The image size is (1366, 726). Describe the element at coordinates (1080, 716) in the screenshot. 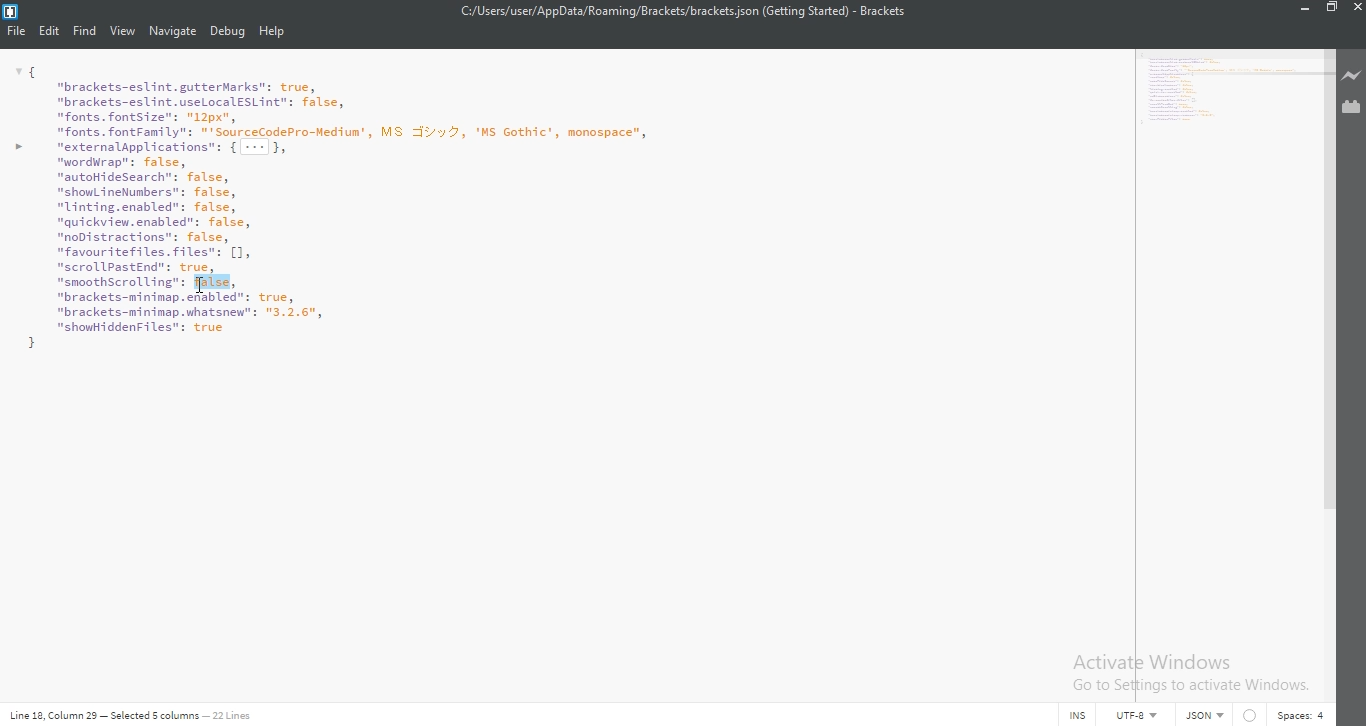

I see `Toggle Insert or Overwrite` at that location.